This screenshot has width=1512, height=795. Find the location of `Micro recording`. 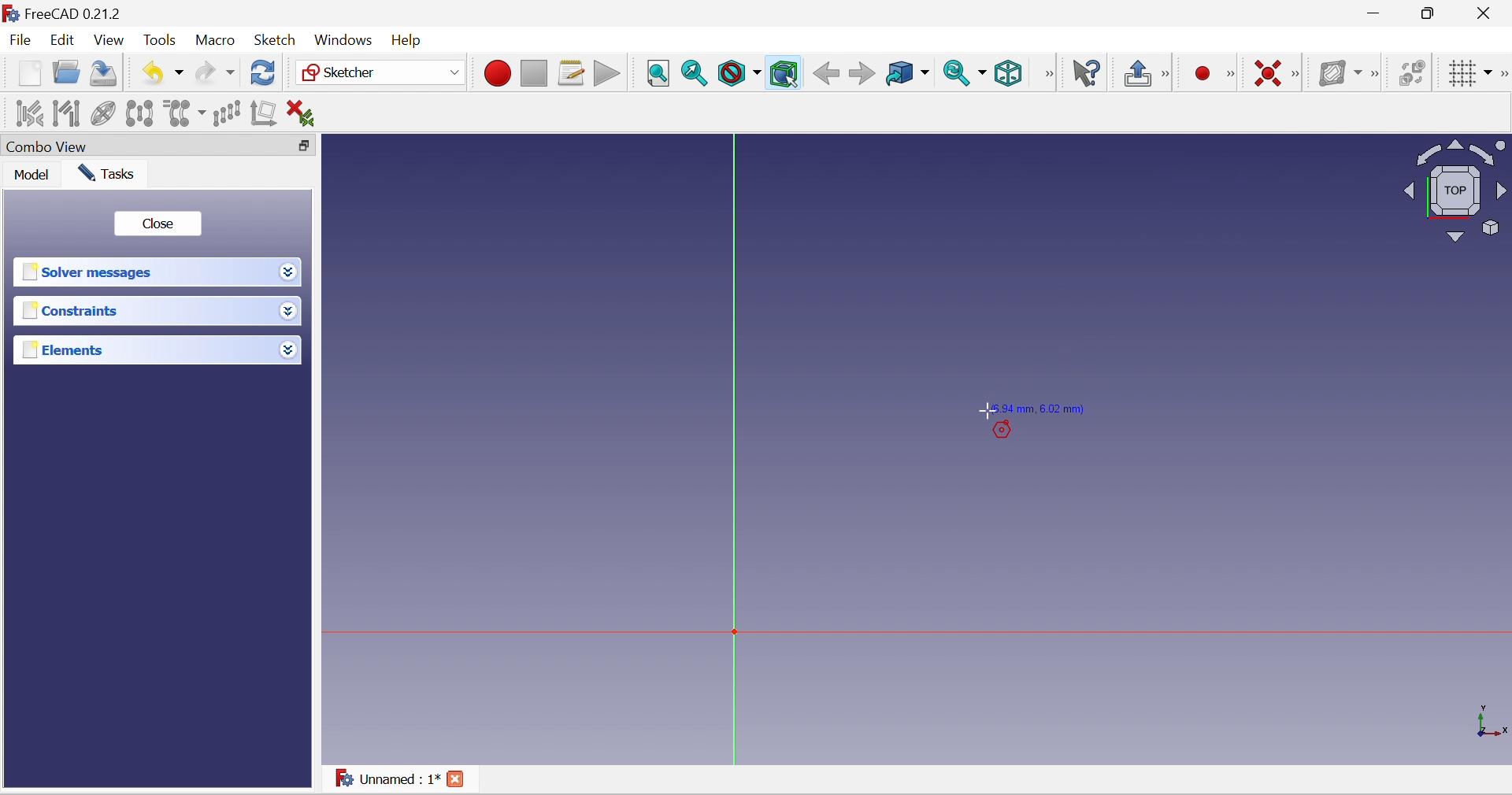

Micro recording is located at coordinates (1203, 75).